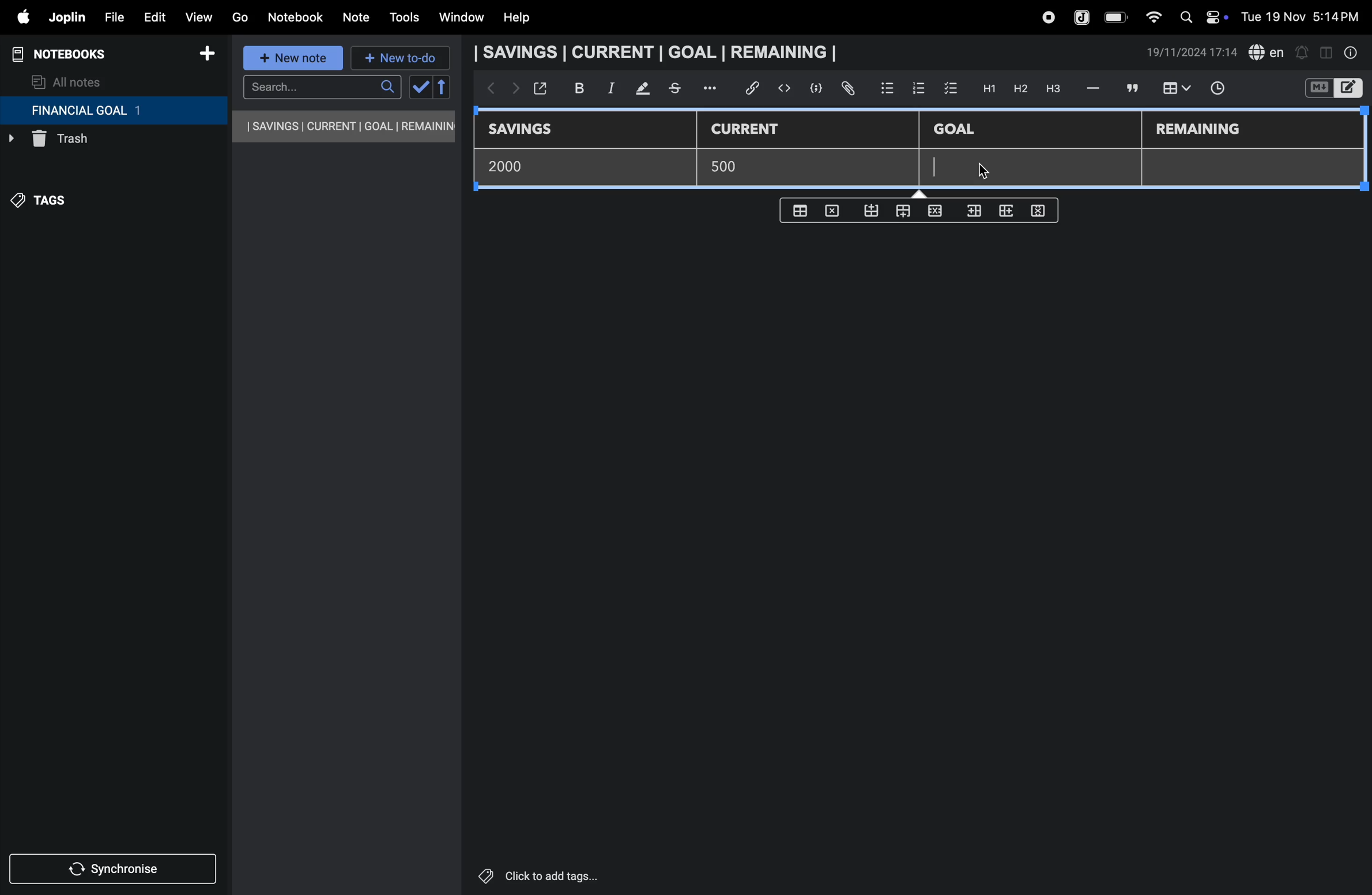  I want to click on itallic, so click(609, 88).